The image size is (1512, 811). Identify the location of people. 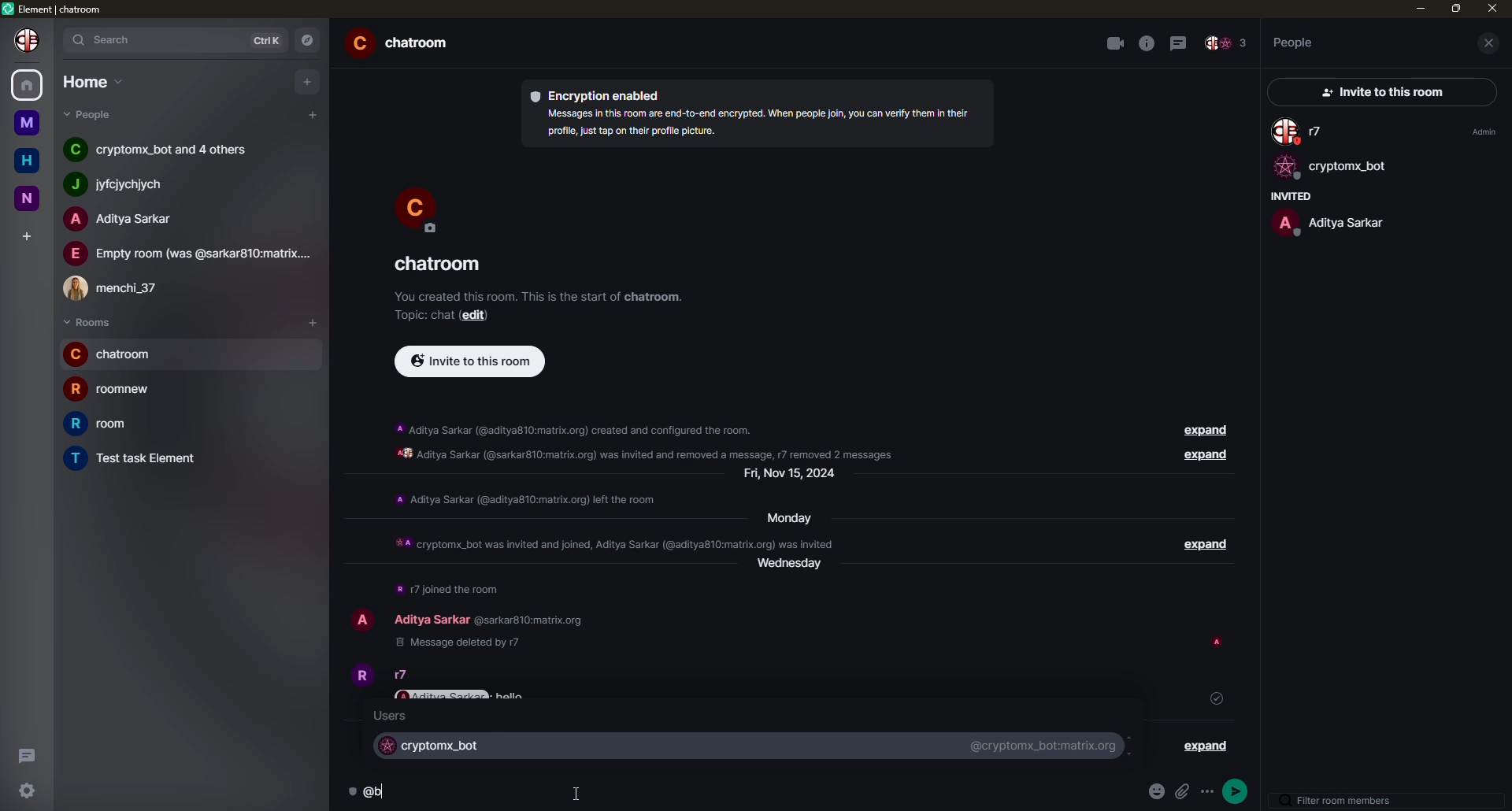
(189, 254).